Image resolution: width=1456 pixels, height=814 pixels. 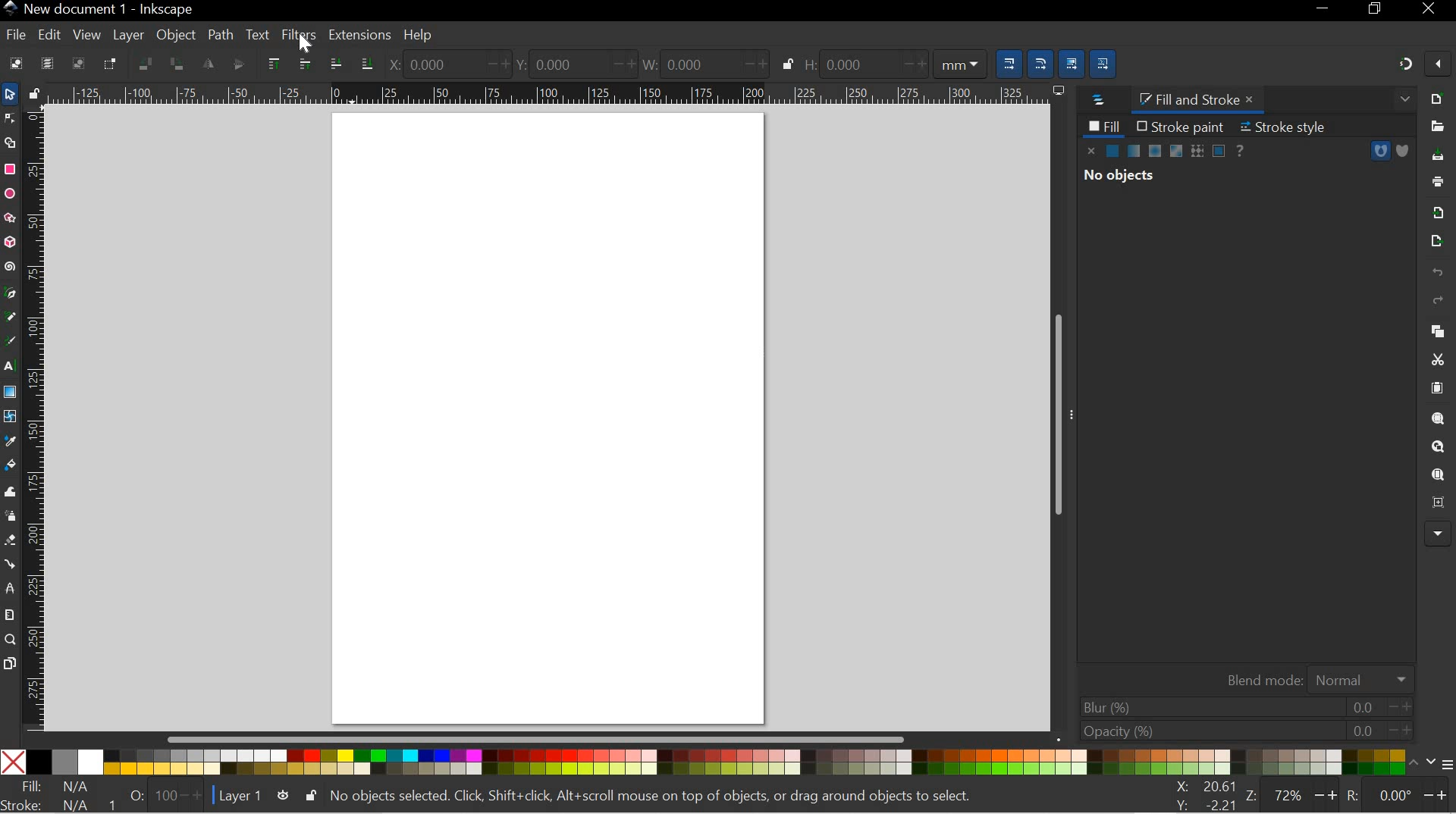 What do you see at coordinates (1434, 127) in the screenshot?
I see `OPEN FILE DIALOG` at bounding box center [1434, 127].